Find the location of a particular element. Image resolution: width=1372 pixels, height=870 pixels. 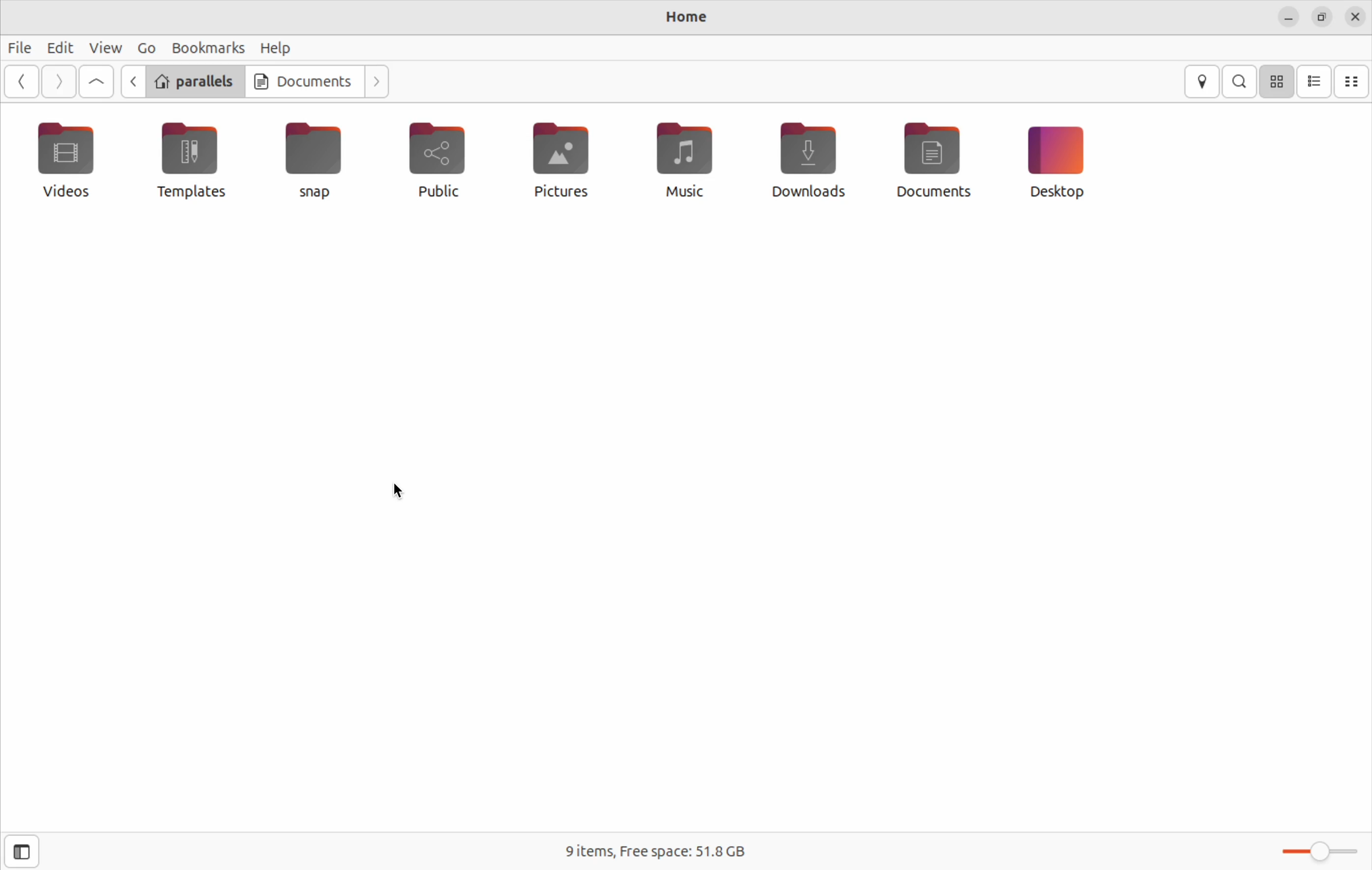

desktop is located at coordinates (1061, 163).